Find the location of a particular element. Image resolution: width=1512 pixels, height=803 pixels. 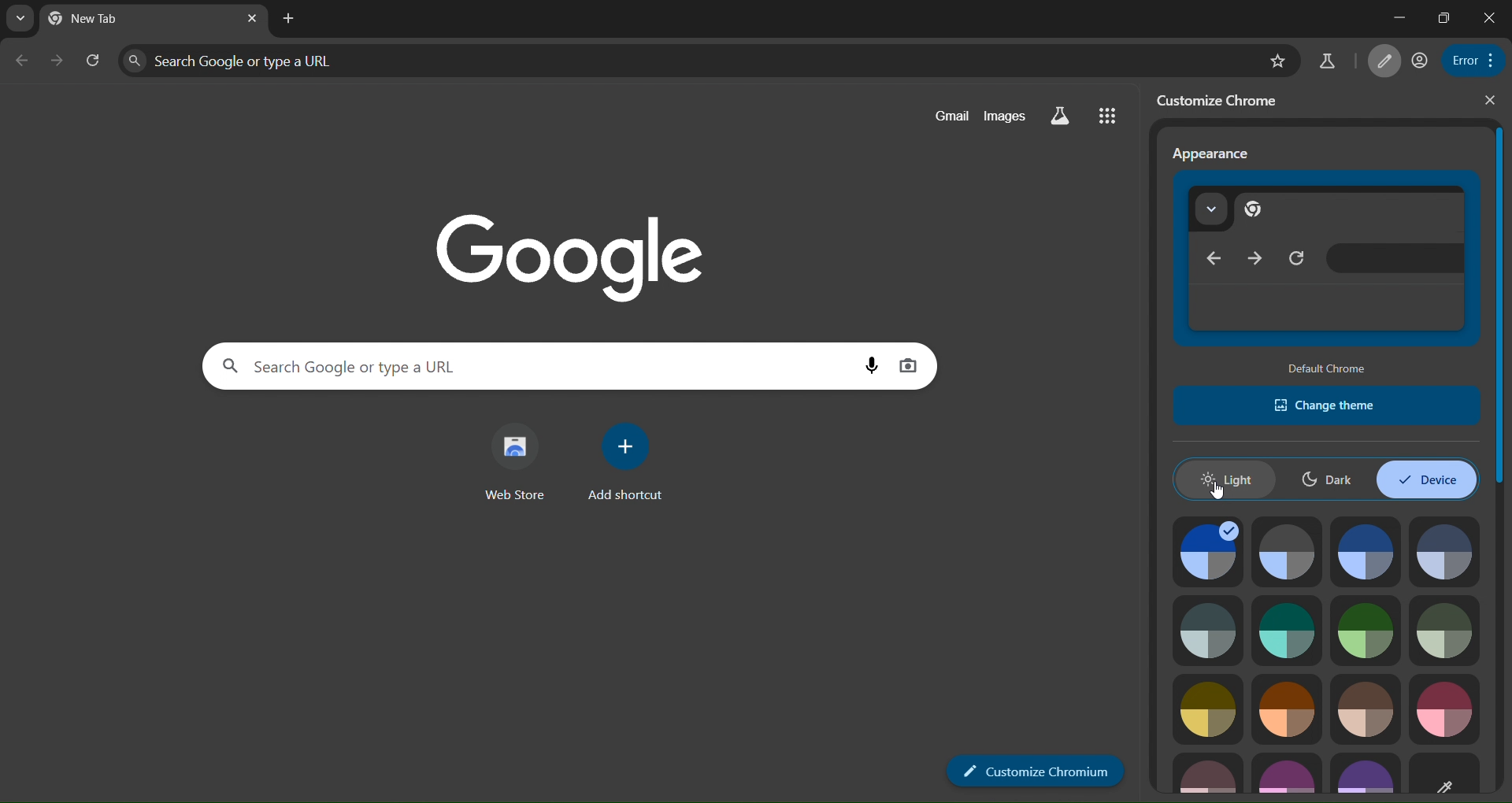

close tab is located at coordinates (250, 19).